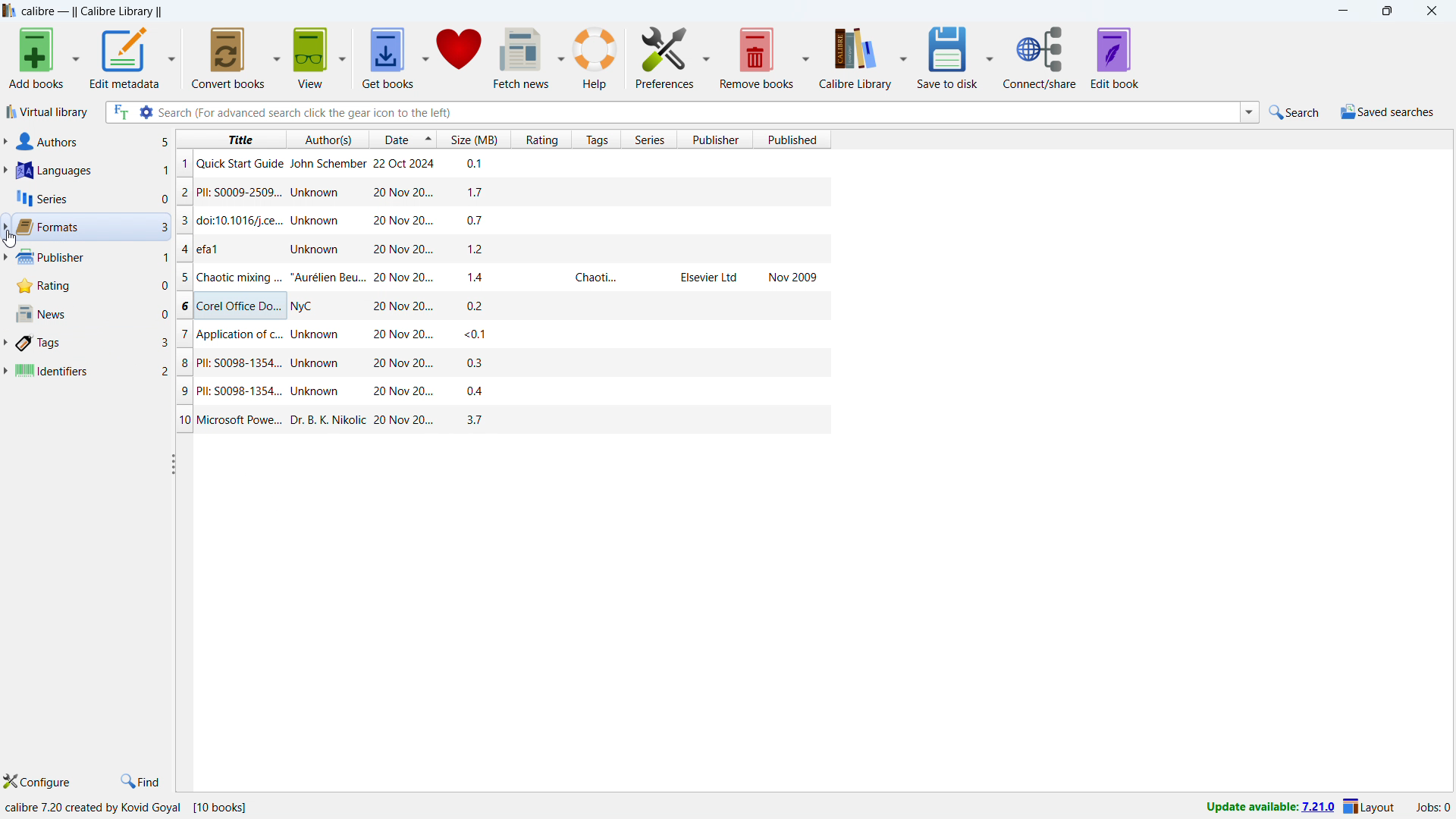  Describe the element at coordinates (664, 56) in the screenshot. I see `preferences` at that location.